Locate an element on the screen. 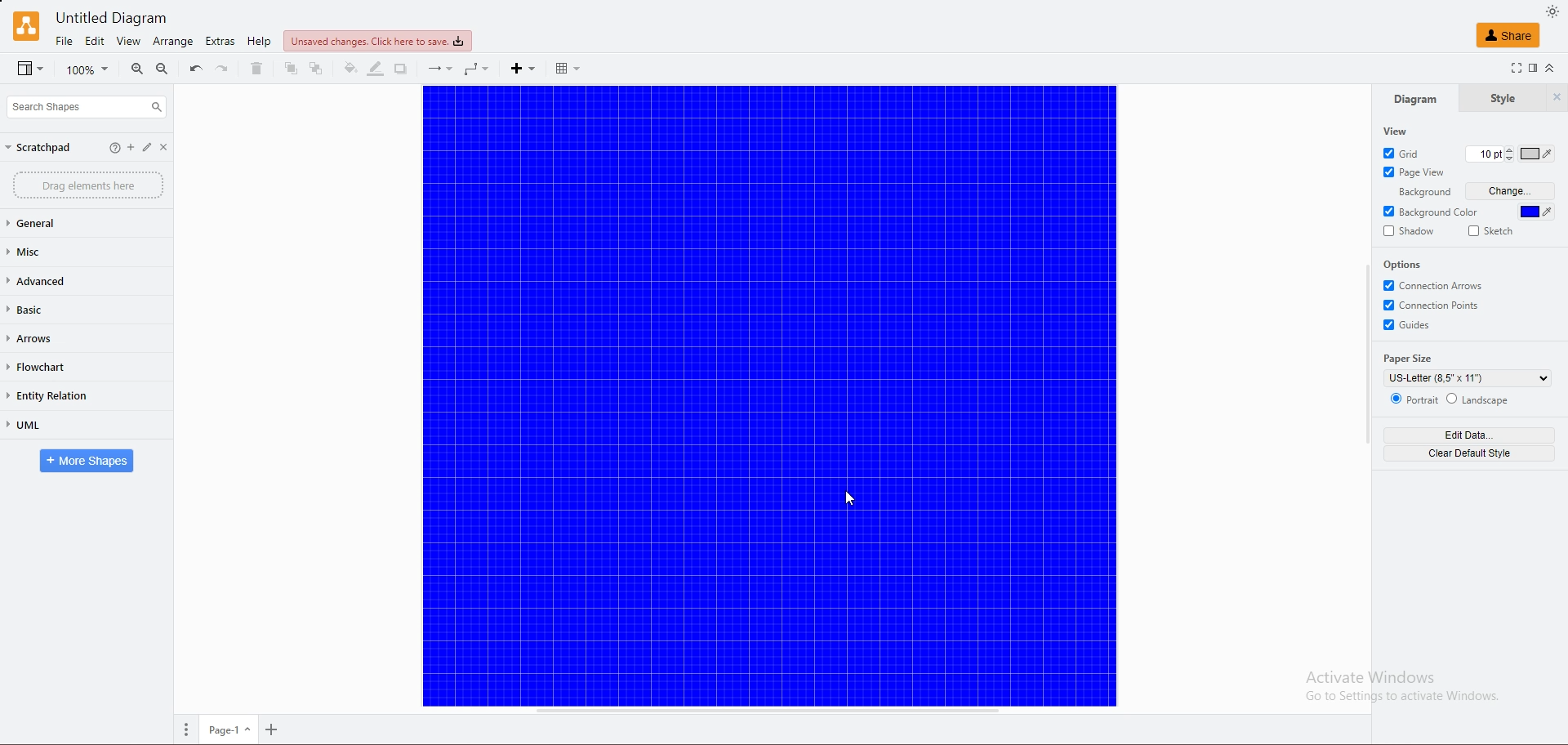 The image size is (1568, 745). arrow is located at coordinates (438, 70).